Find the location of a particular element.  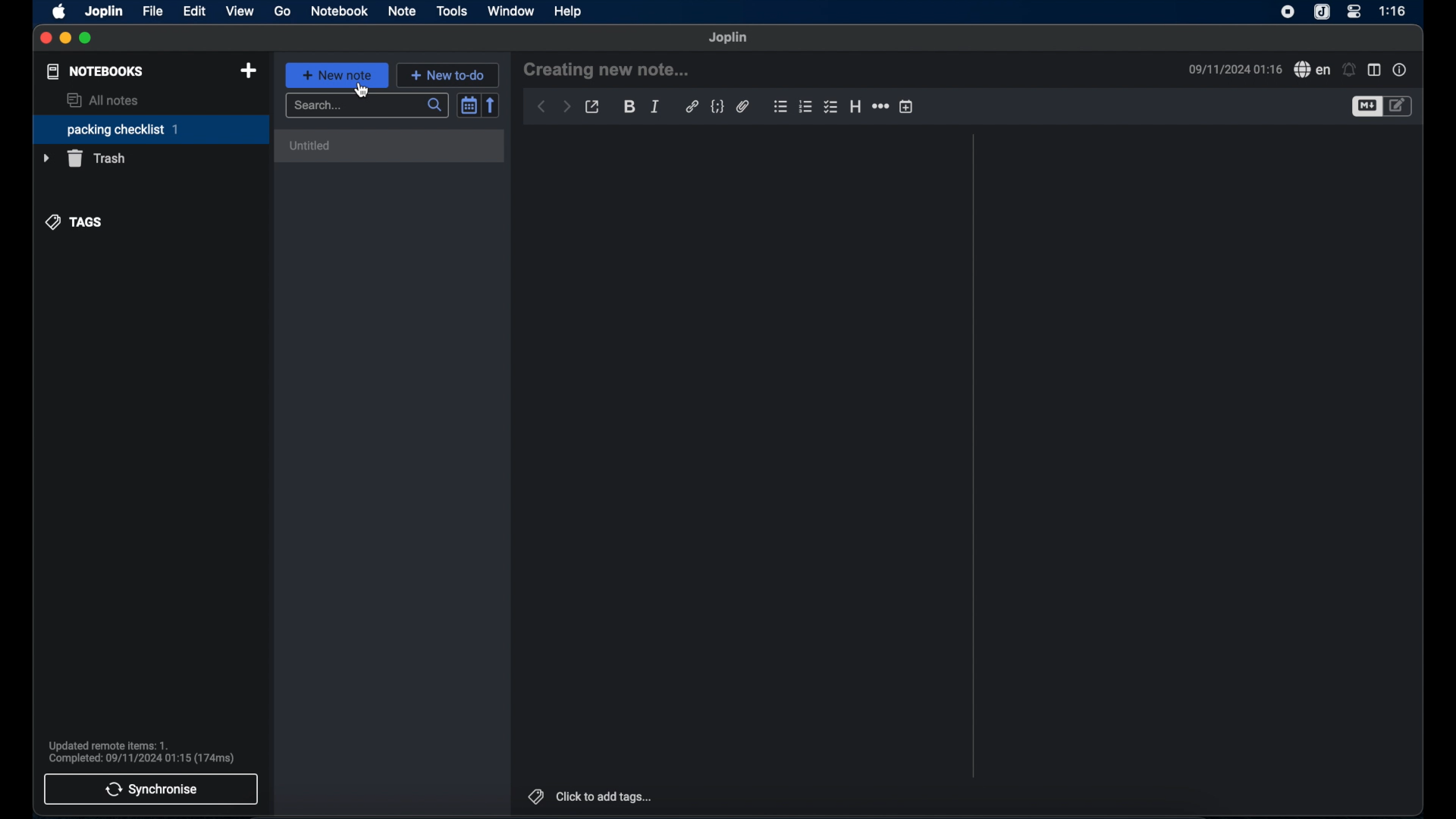

trash is located at coordinates (86, 158).